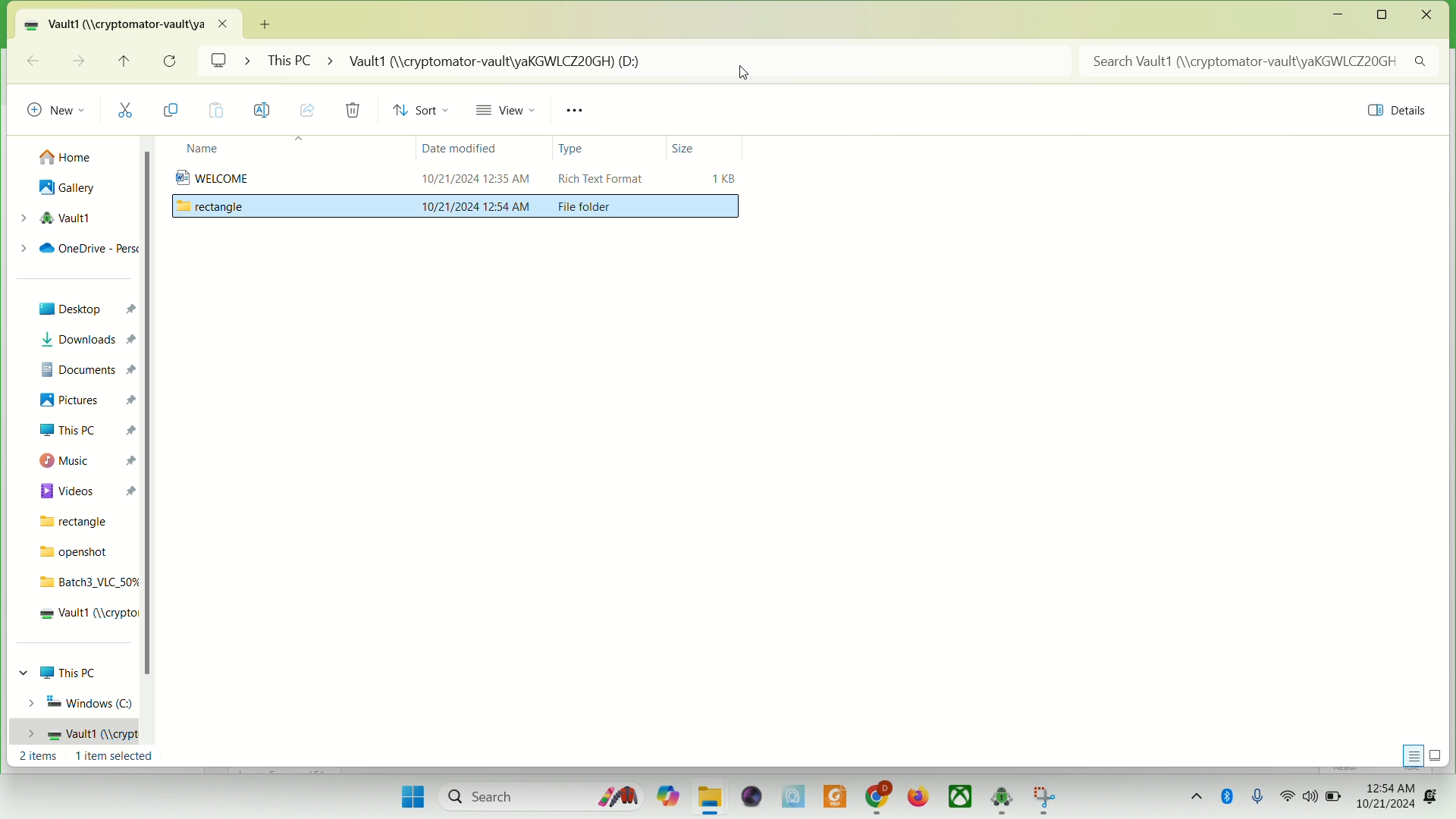 This screenshot has height=819, width=1456. What do you see at coordinates (1392, 113) in the screenshot?
I see `details` at bounding box center [1392, 113].